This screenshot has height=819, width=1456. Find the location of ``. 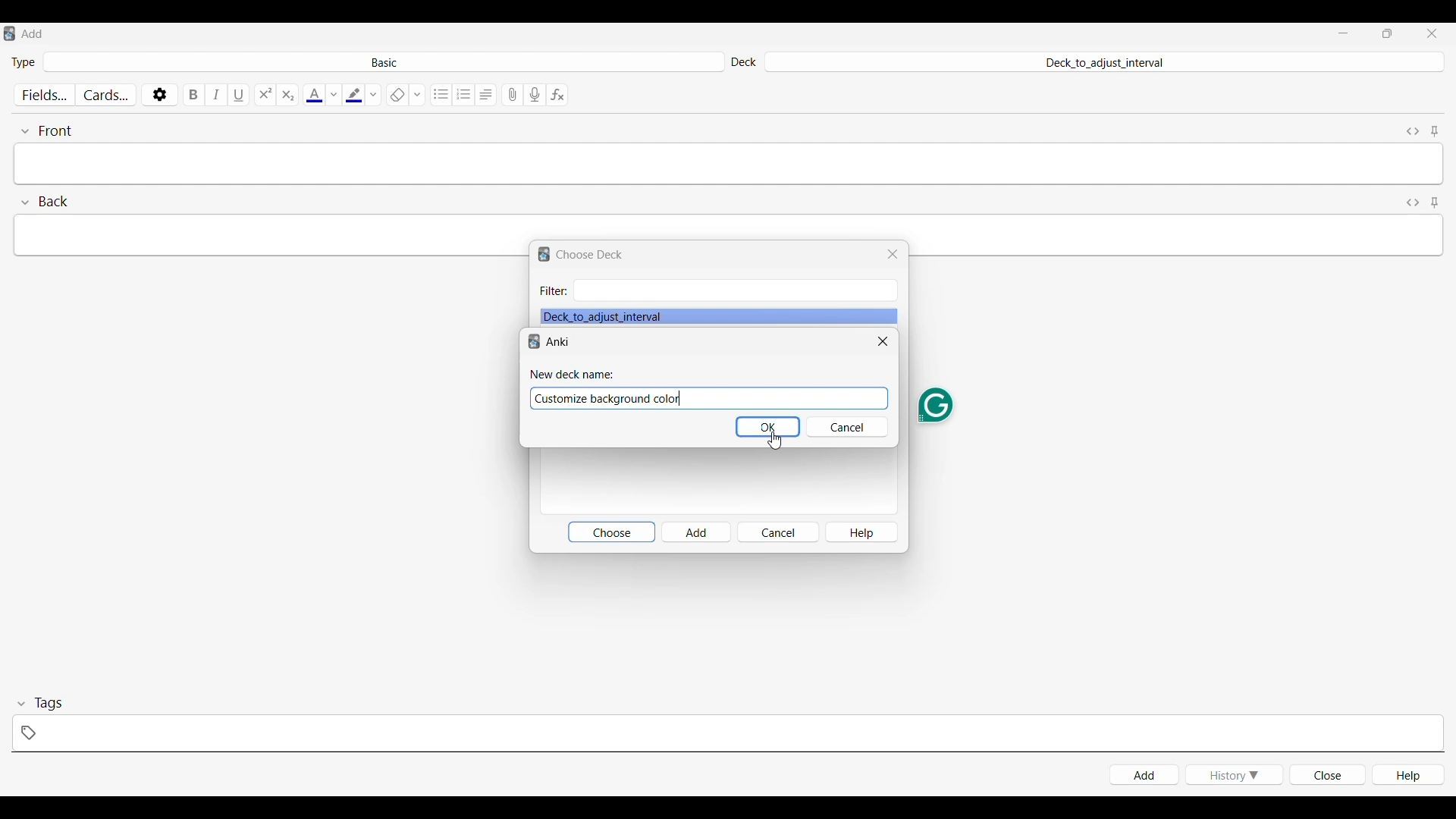

 is located at coordinates (1329, 775).